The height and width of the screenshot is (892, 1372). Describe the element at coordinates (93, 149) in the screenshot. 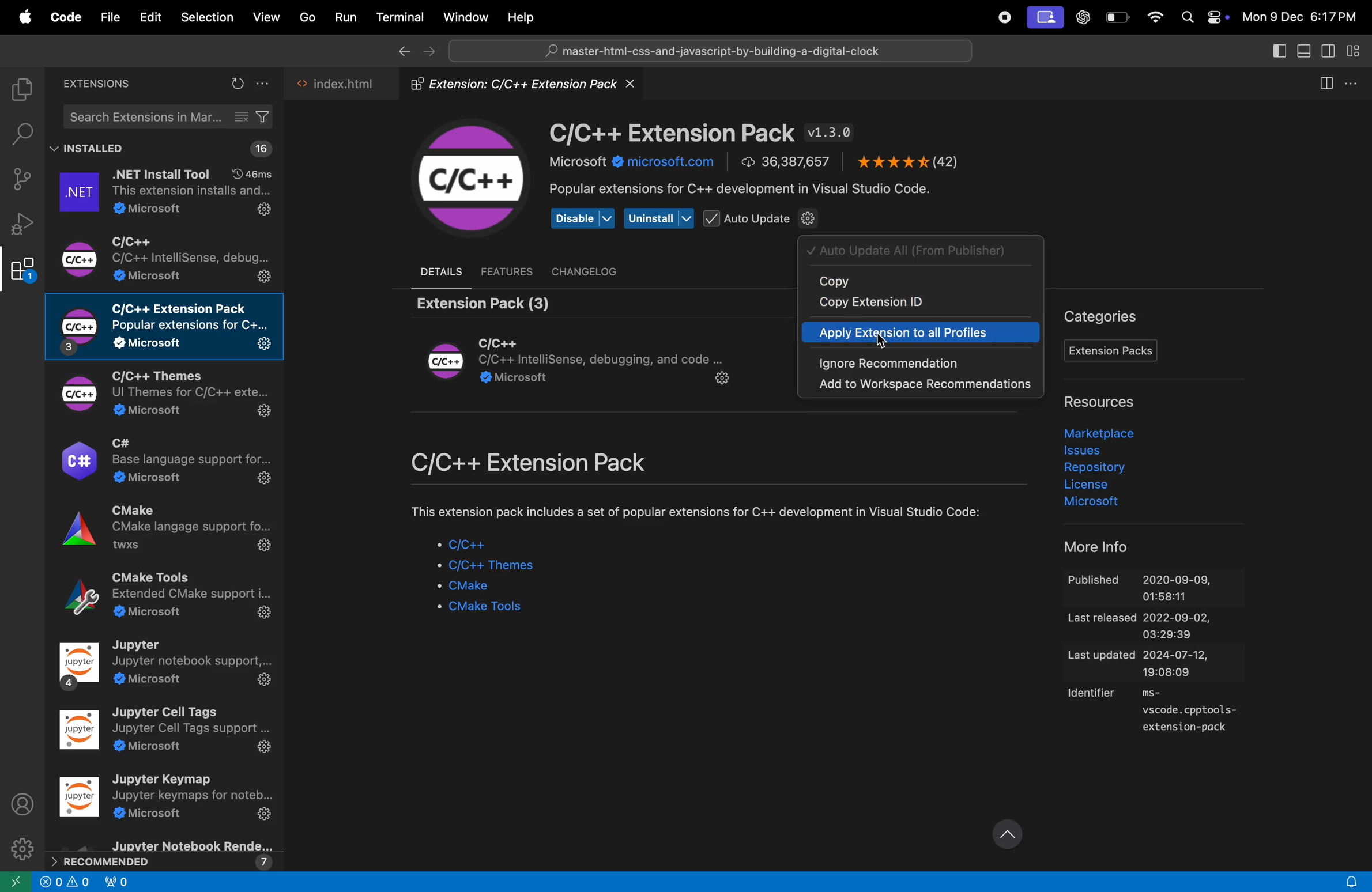

I see `installed` at that location.